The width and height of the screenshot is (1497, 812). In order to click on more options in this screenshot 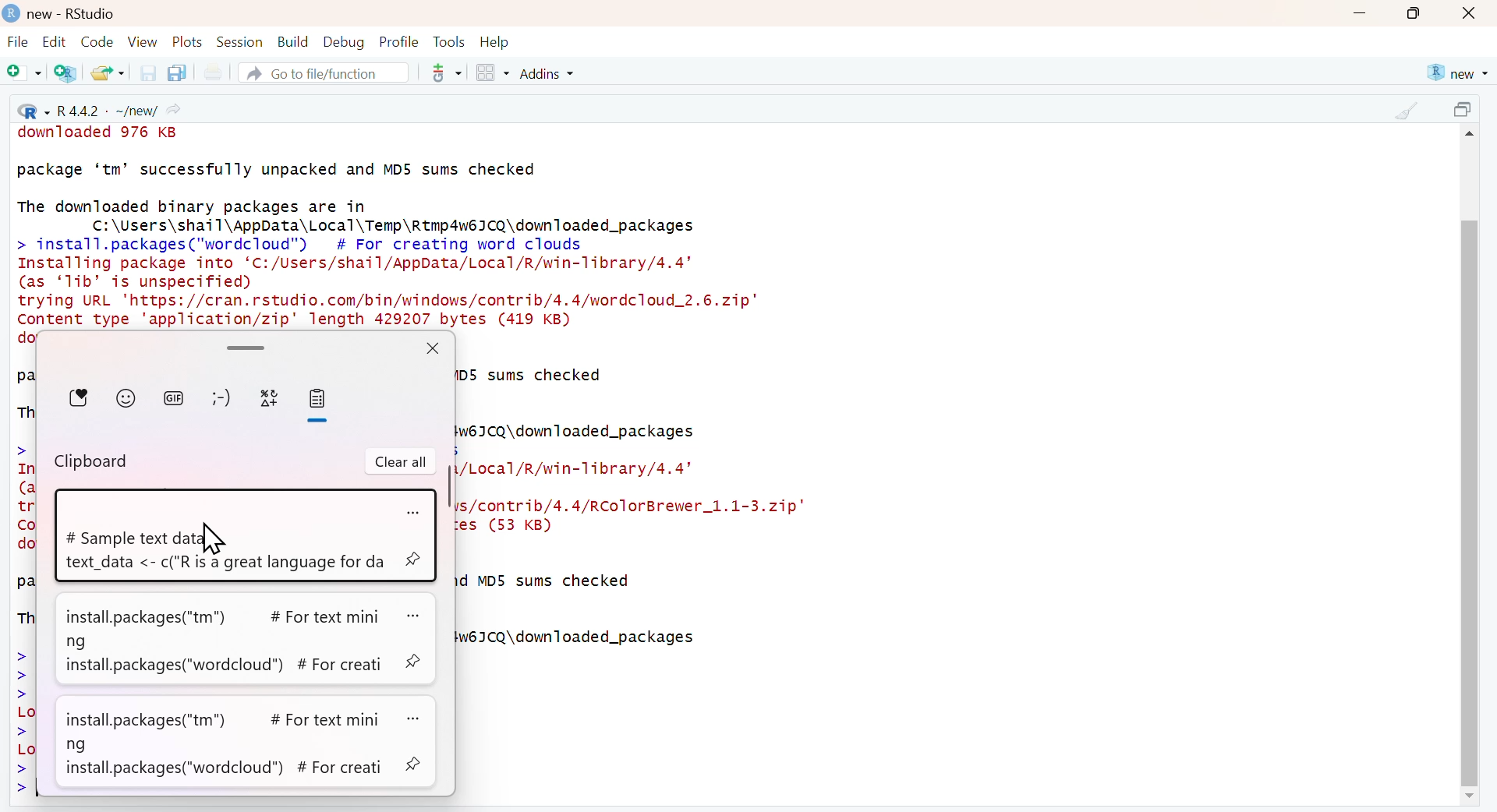, I will do `click(415, 718)`.